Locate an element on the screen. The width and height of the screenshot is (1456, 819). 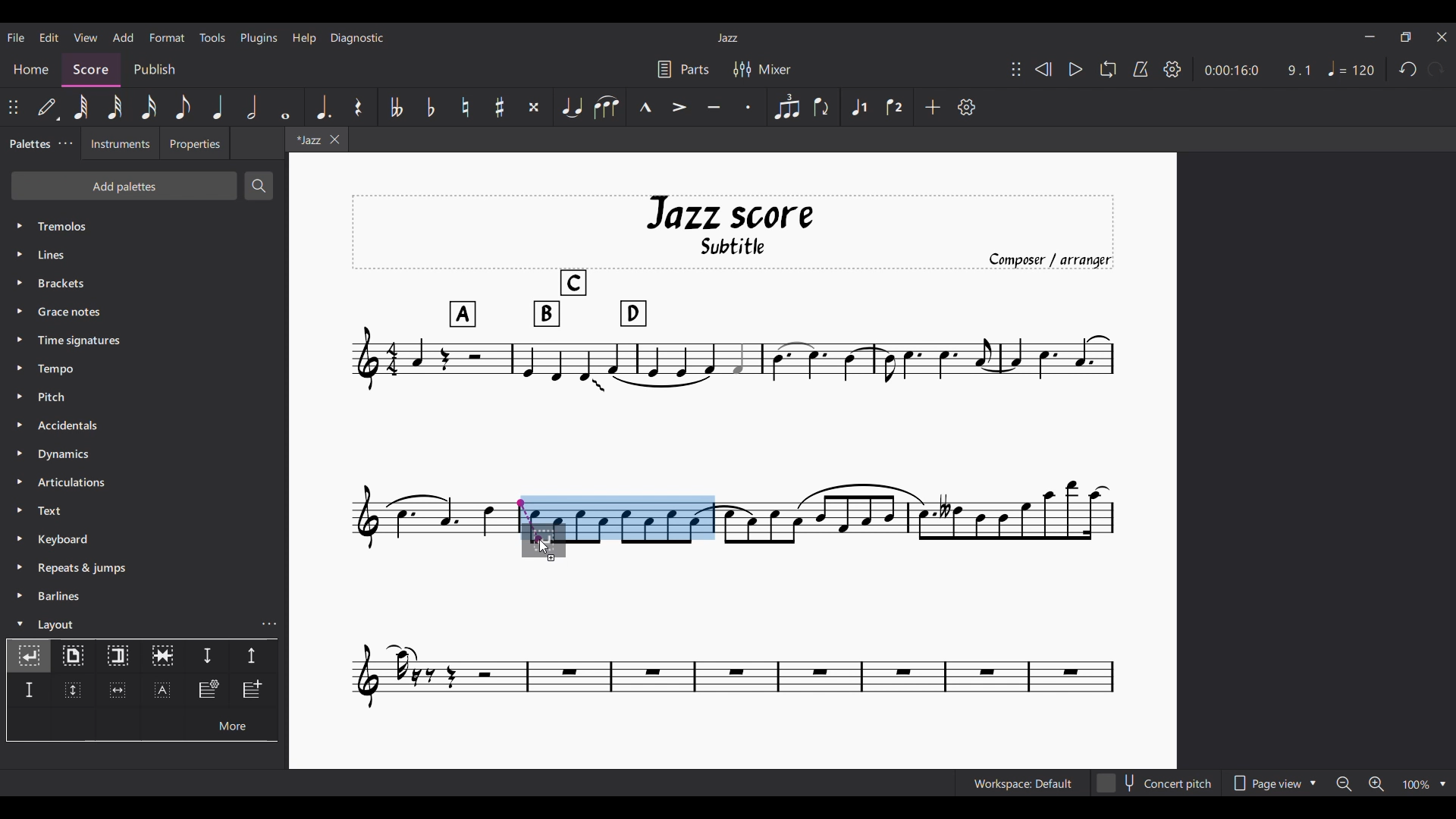
Flip direction is located at coordinates (821, 107).